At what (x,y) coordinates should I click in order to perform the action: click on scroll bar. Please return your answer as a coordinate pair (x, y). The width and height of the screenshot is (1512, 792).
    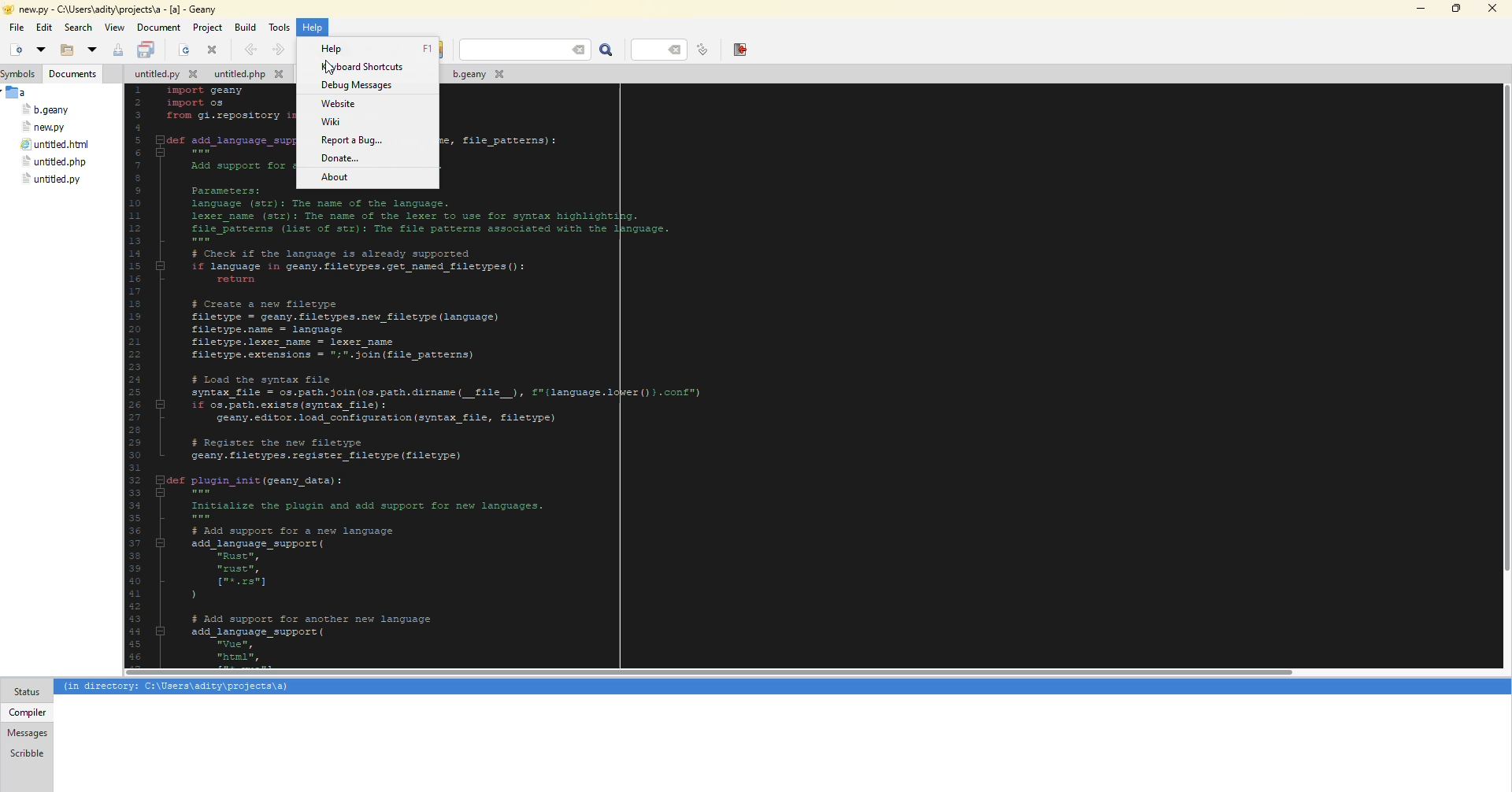
    Looking at the image, I should click on (710, 673).